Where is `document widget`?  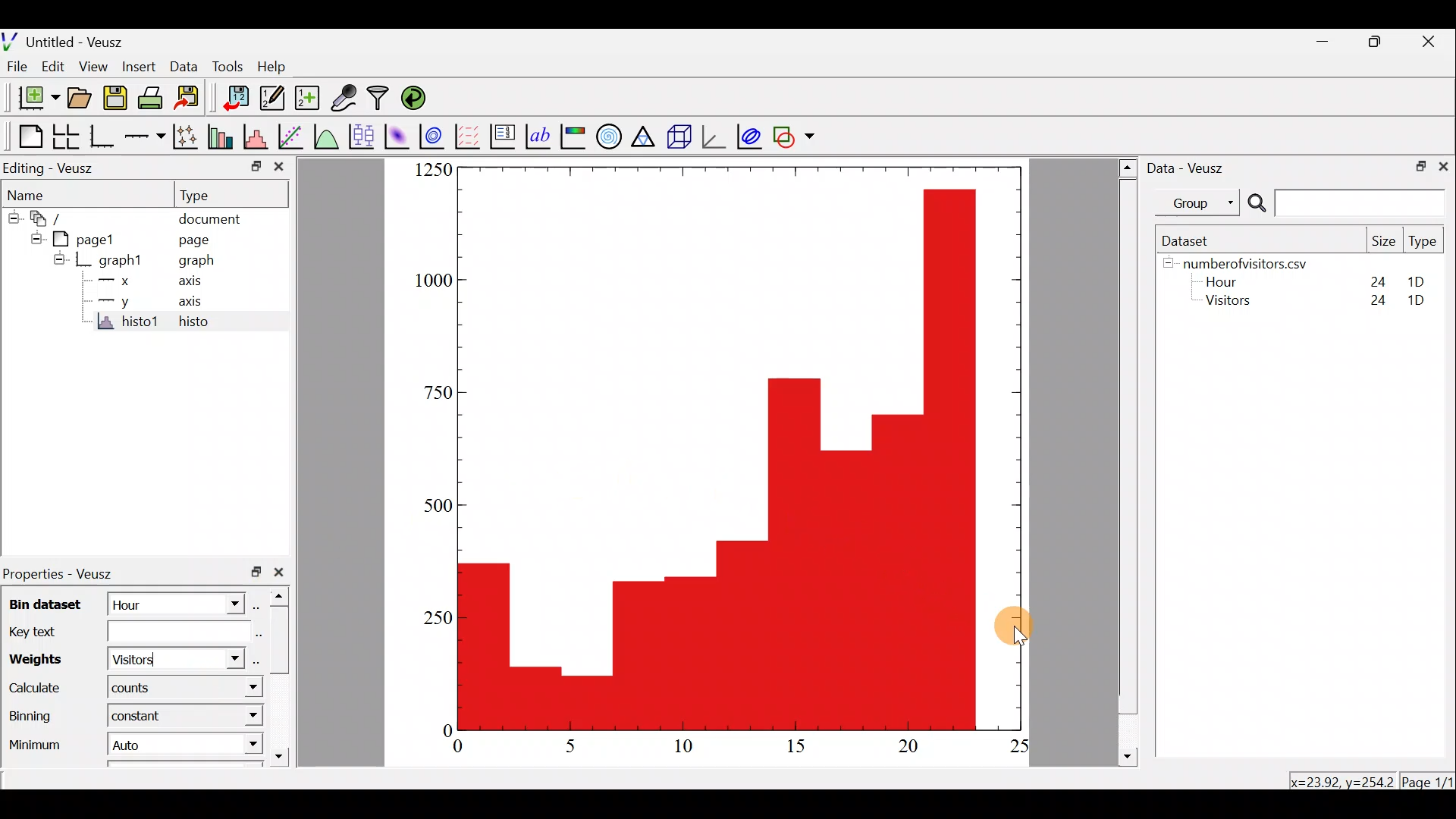 document widget is located at coordinates (49, 218).